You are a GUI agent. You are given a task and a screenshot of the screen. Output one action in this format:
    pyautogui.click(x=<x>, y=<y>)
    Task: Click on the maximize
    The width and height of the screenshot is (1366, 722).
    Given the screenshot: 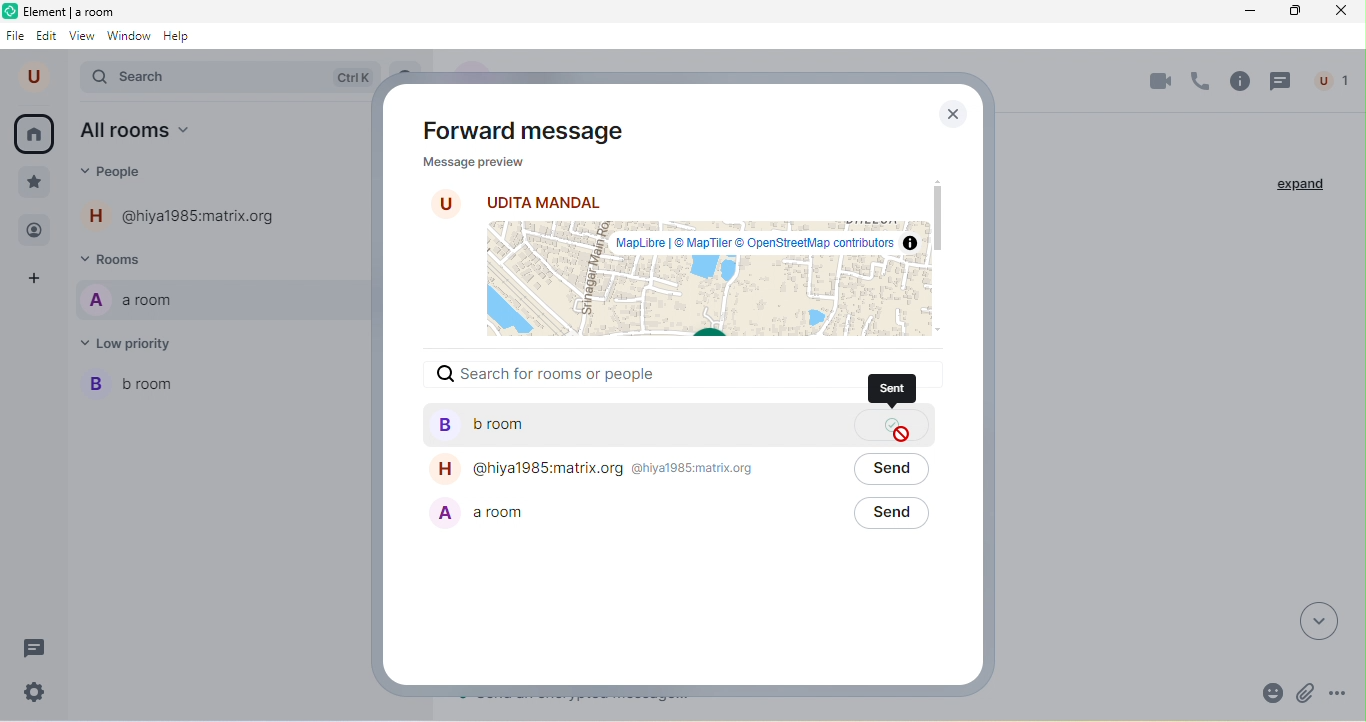 What is the action you would take?
    pyautogui.click(x=1294, y=14)
    